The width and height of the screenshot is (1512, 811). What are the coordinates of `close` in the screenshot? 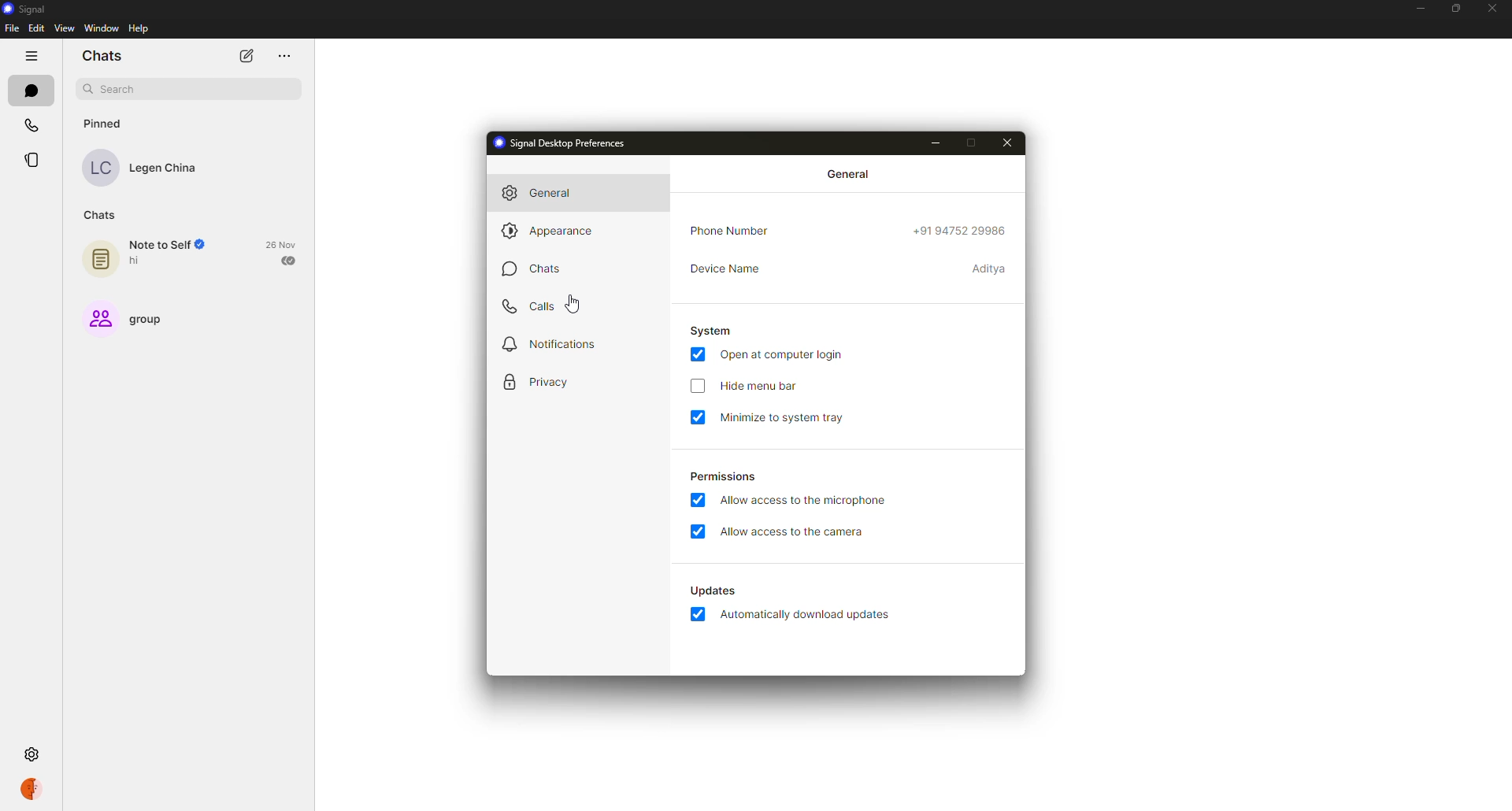 It's located at (1491, 9).